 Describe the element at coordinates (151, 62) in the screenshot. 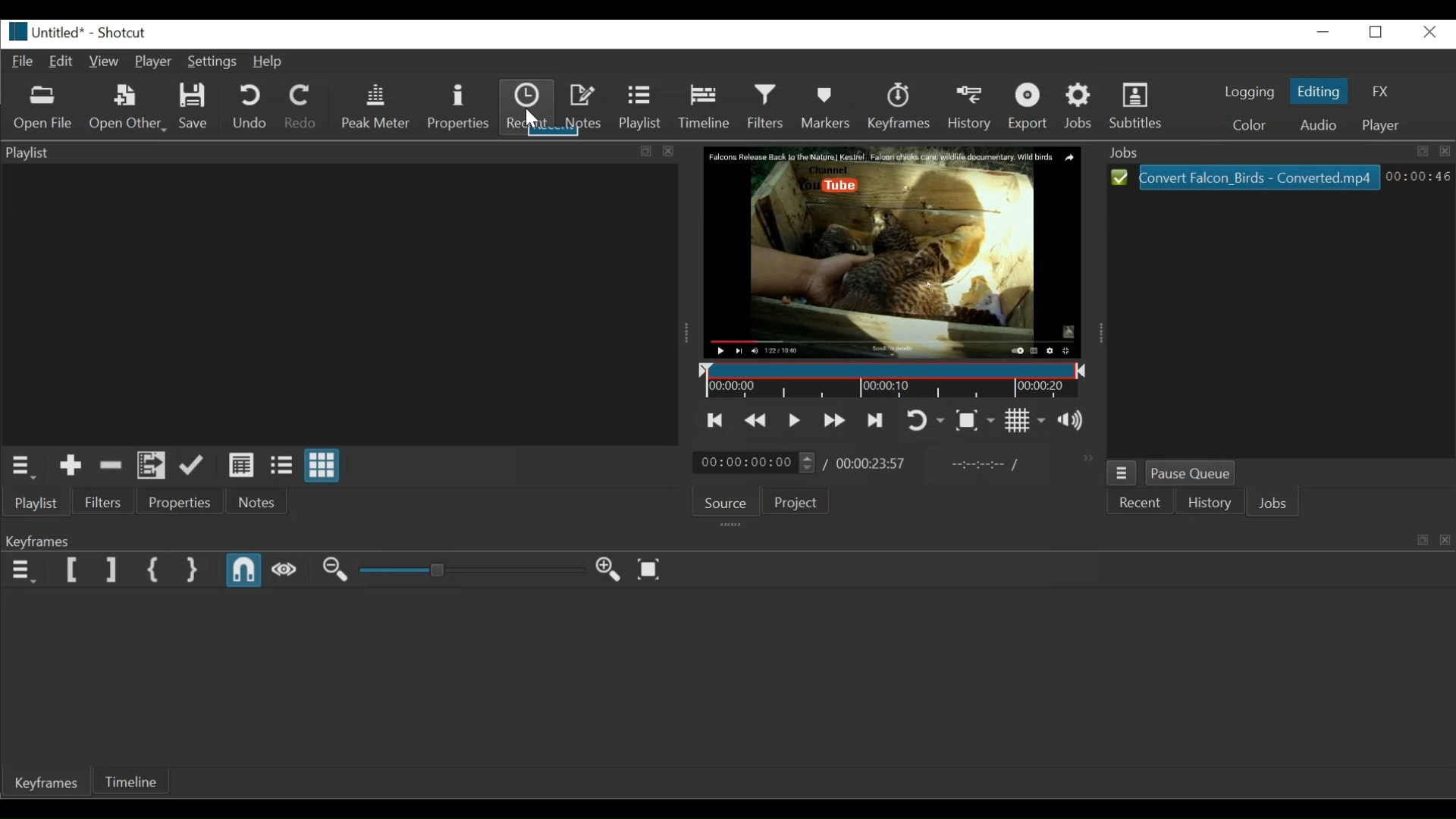

I see `Player` at that location.